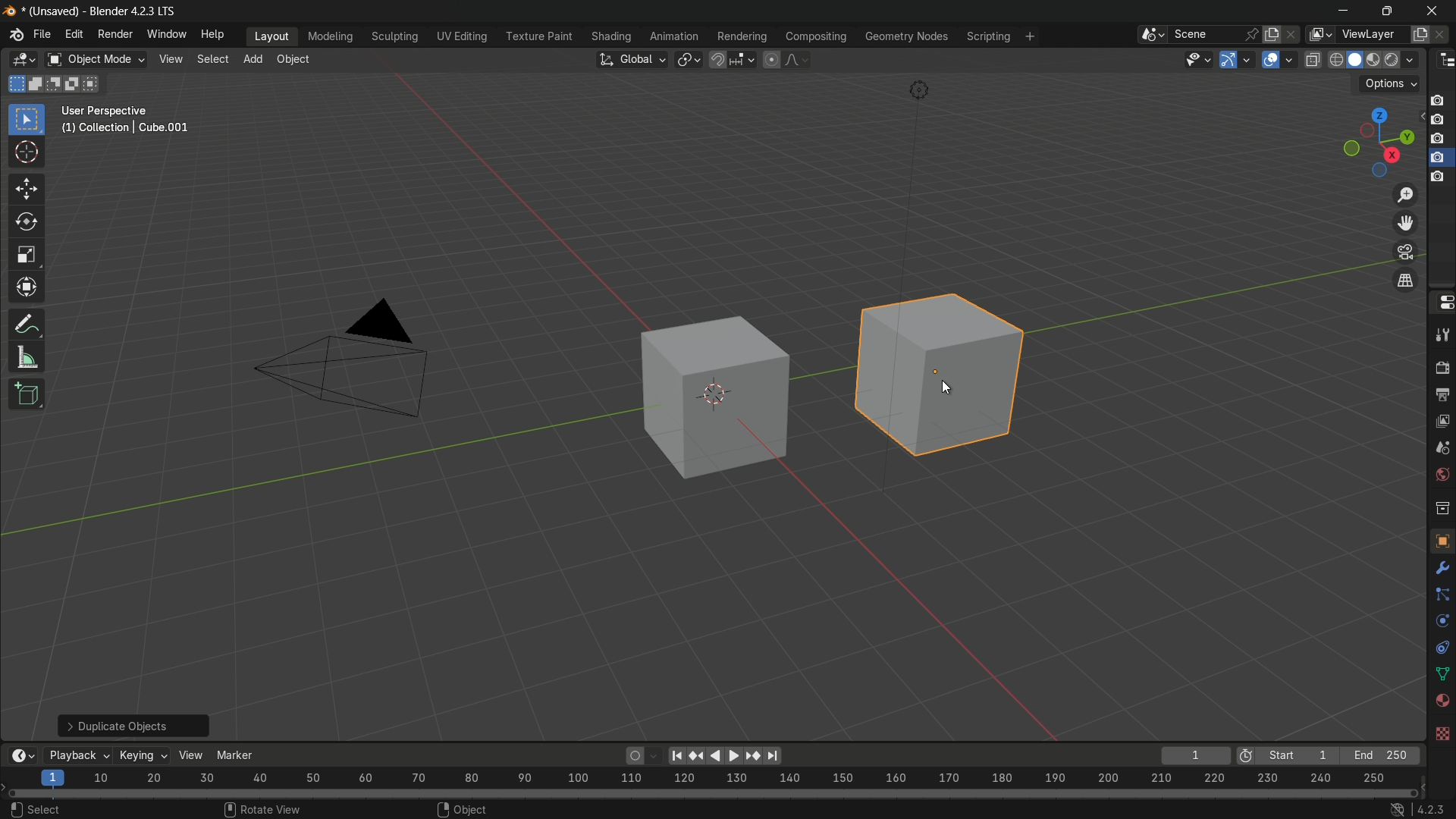 This screenshot has width=1456, height=819. Describe the element at coordinates (176, 810) in the screenshot. I see `XYZ AXIS ` at that location.